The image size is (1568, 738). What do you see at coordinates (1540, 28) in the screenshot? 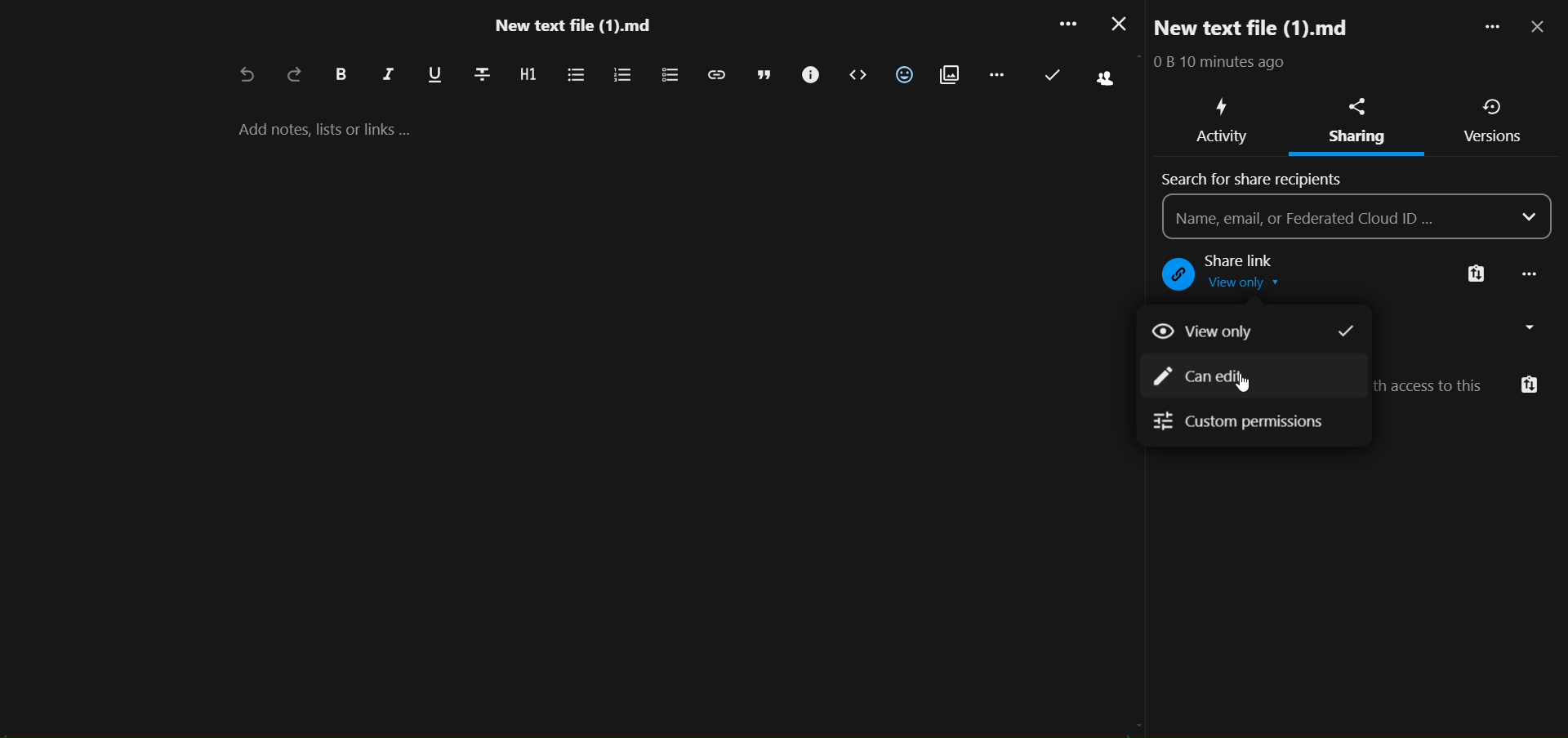
I see `close pane` at bounding box center [1540, 28].